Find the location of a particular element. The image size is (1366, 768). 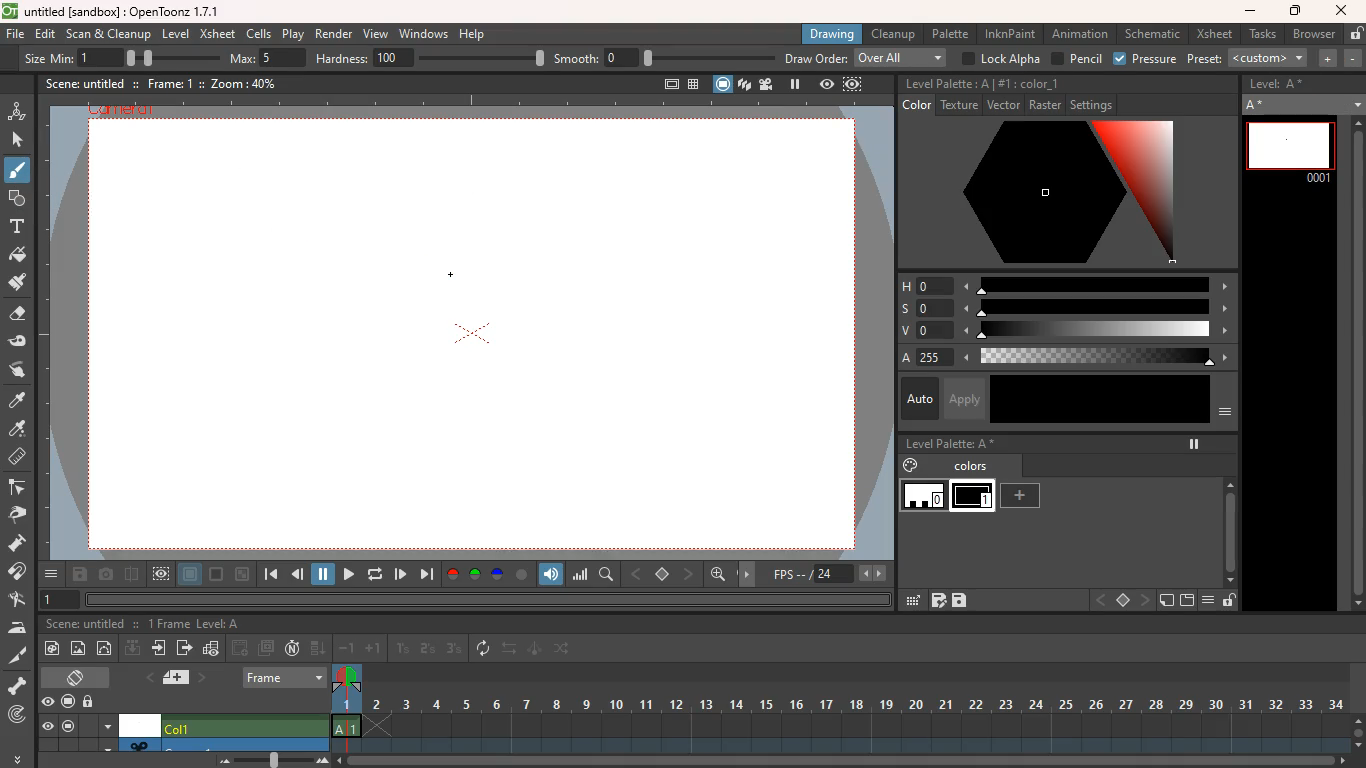

render is located at coordinates (332, 35).